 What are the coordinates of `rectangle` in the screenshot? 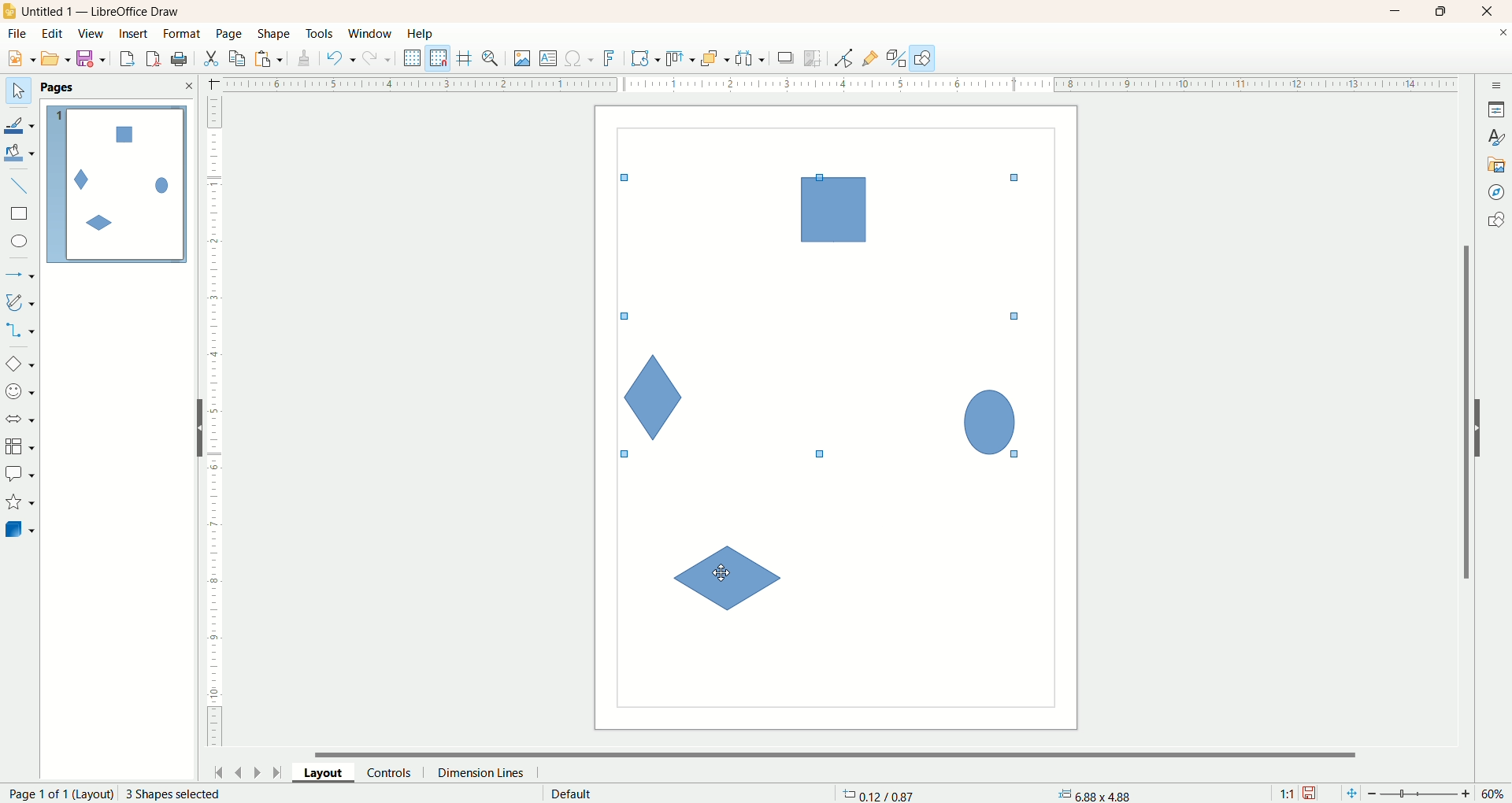 It's located at (21, 214).